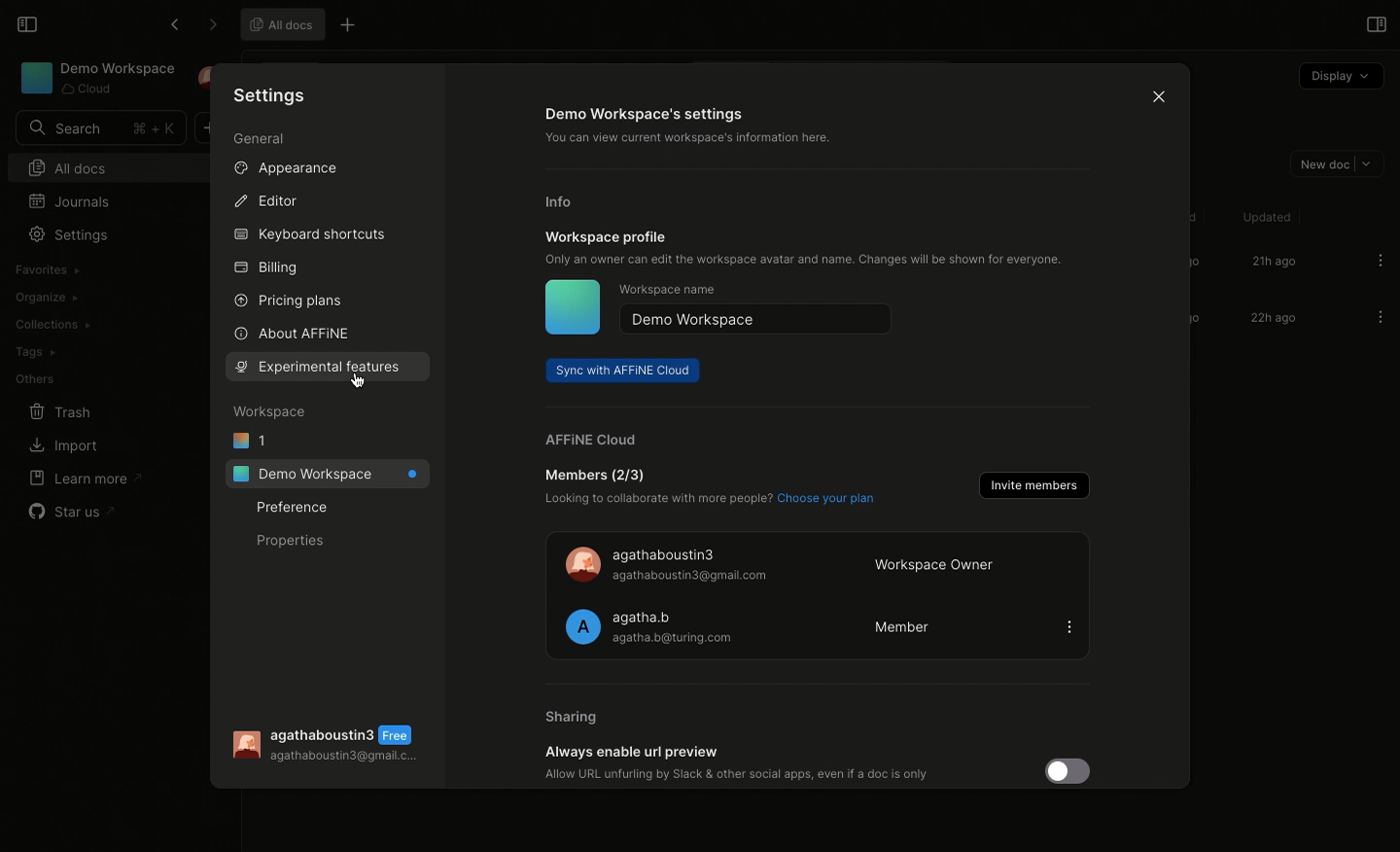 This screenshot has width=1400, height=852. What do you see at coordinates (350, 27) in the screenshot?
I see `Other options` at bounding box center [350, 27].